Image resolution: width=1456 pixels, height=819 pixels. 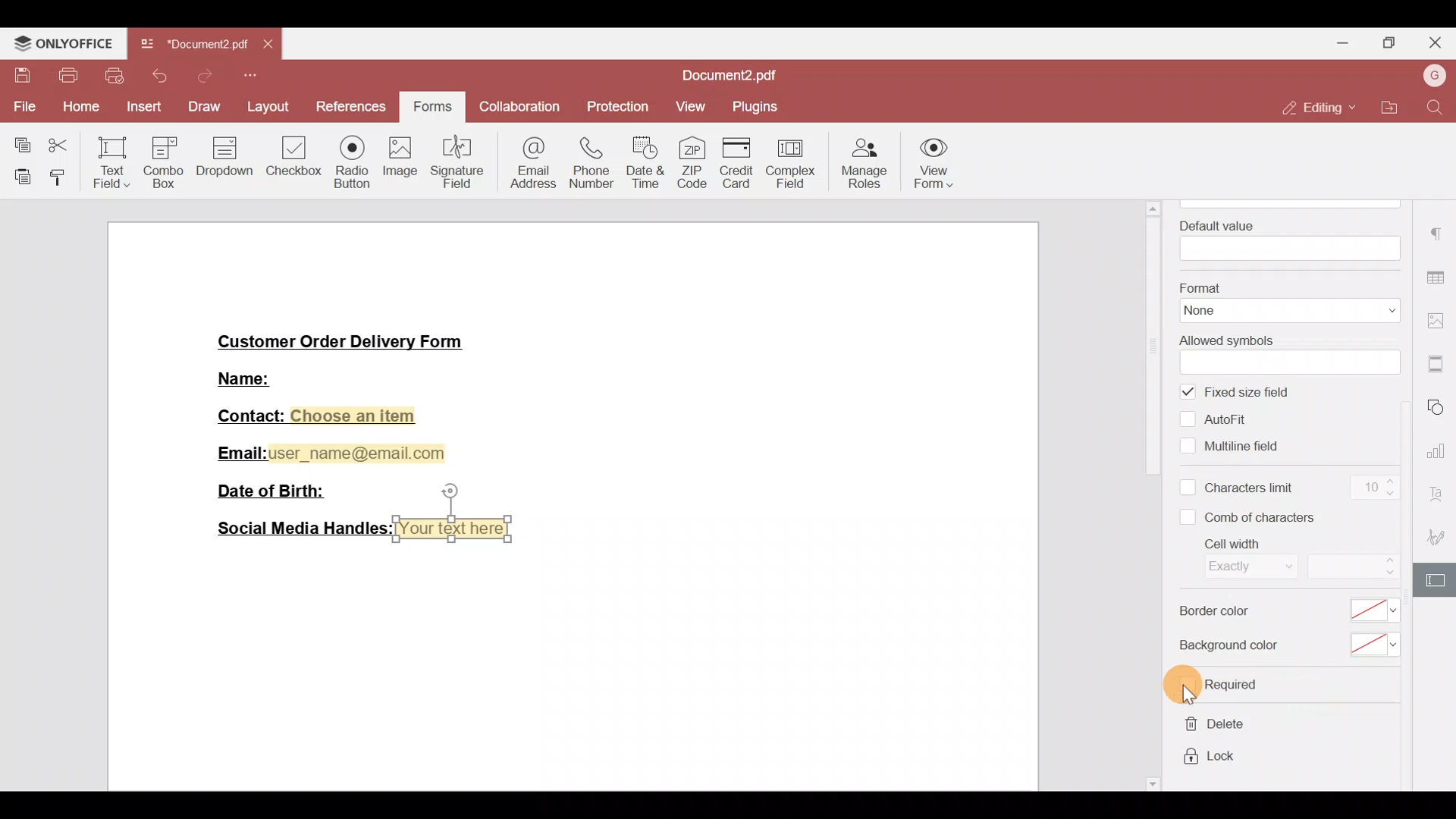 What do you see at coordinates (1343, 42) in the screenshot?
I see `Minimize` at bounding box center [1343, 42].